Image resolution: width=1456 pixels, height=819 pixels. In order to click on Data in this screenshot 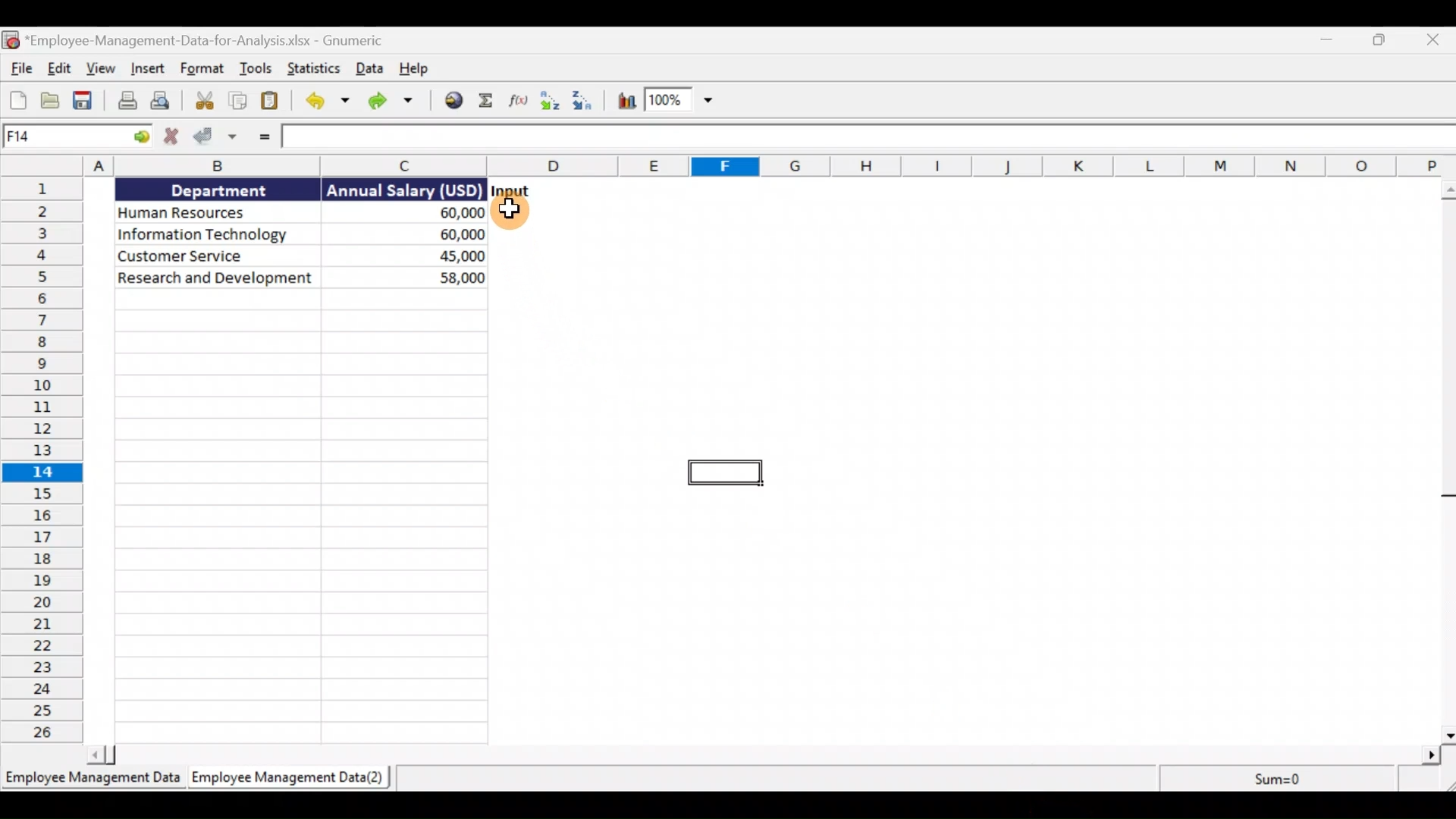, I will do `click(372, 69)`.